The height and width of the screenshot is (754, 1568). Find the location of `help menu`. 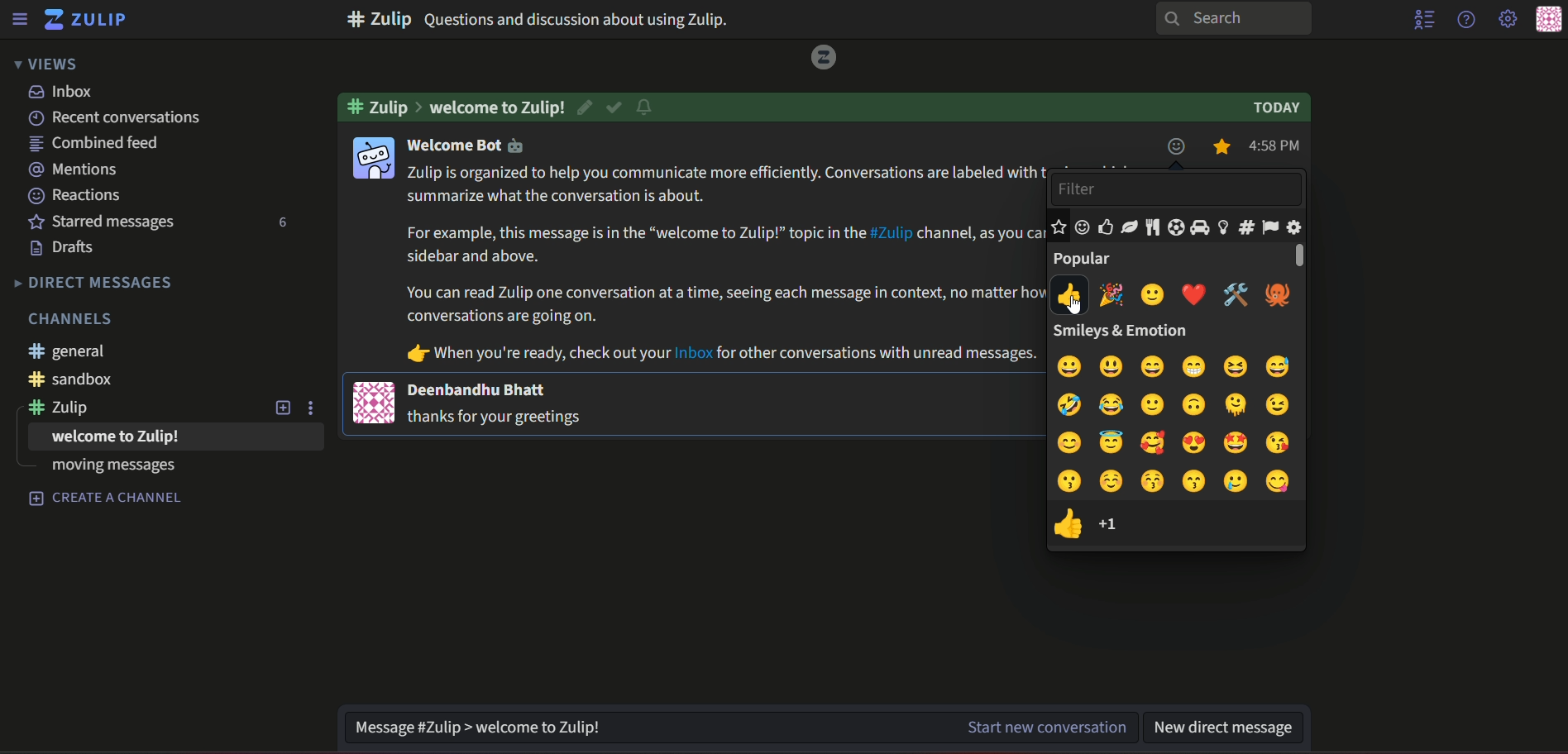

help menu is located at coordinates (1465, 20).